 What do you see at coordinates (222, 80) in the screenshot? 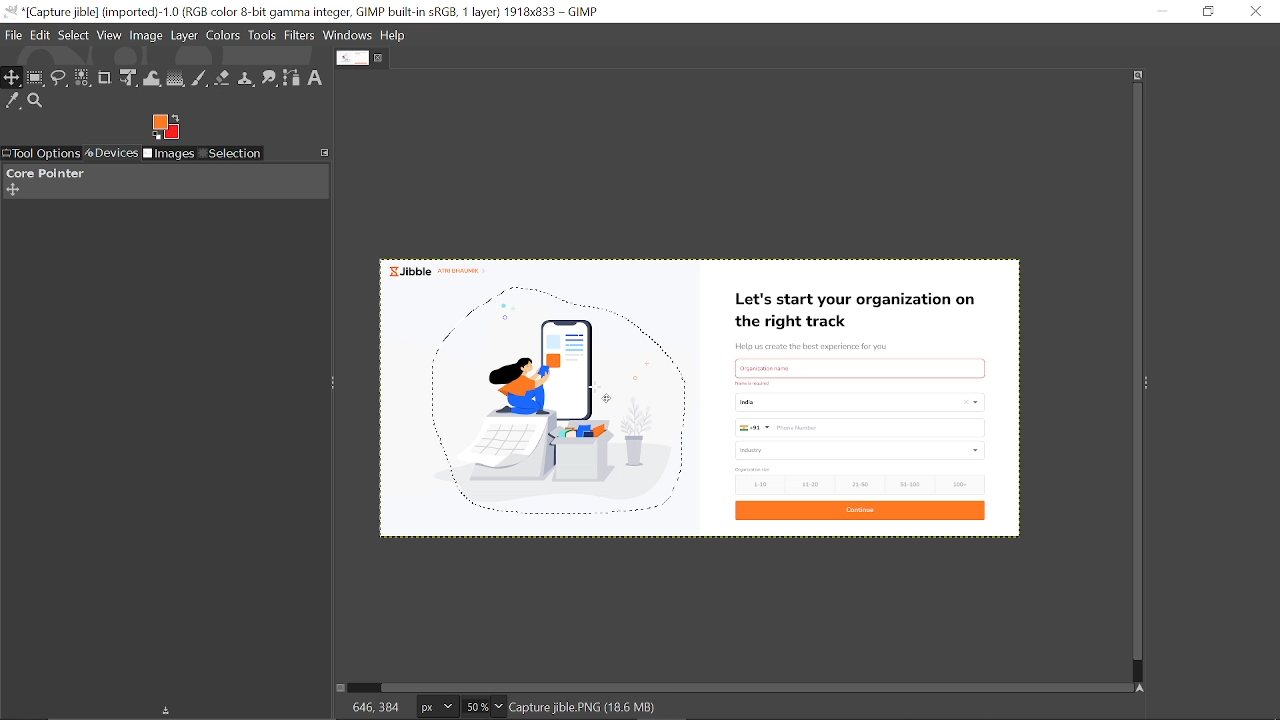
I see `Eraser tool` at bounding box center [222, 80].